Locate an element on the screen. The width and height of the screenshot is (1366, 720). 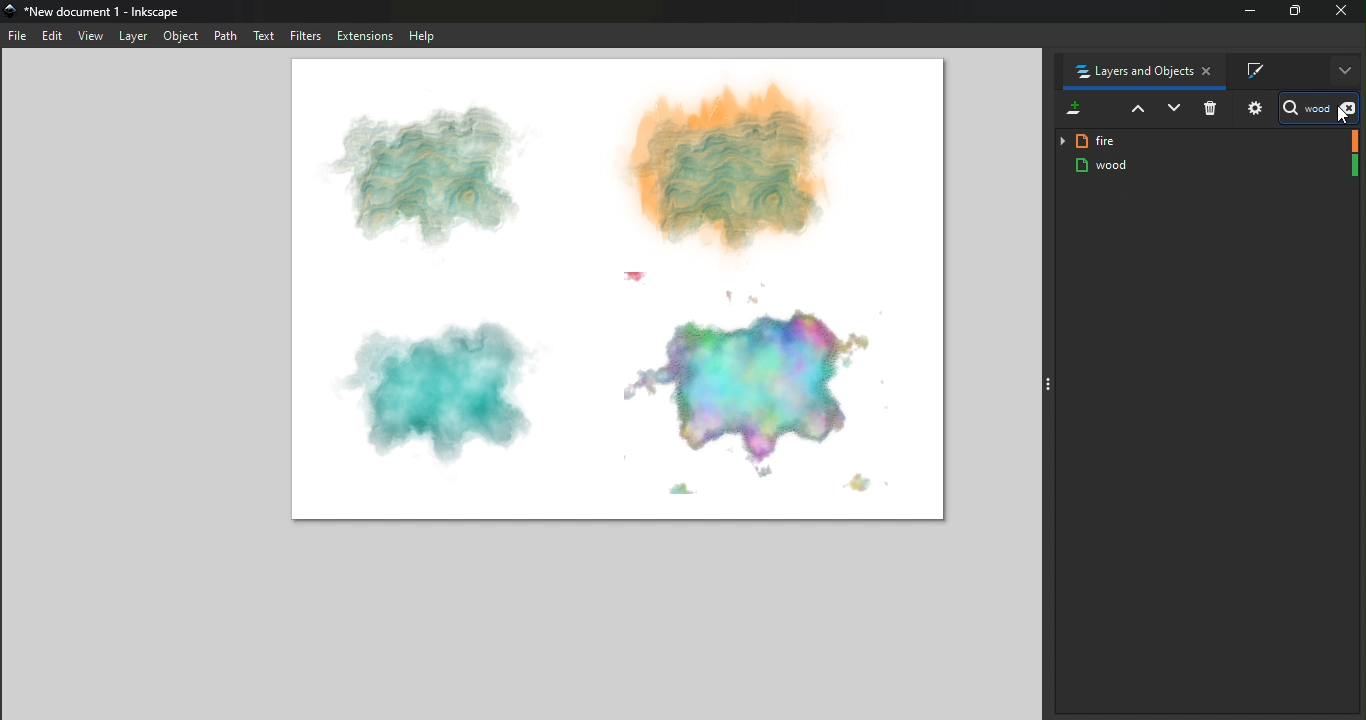
Text is located at coordinates (266, 35).